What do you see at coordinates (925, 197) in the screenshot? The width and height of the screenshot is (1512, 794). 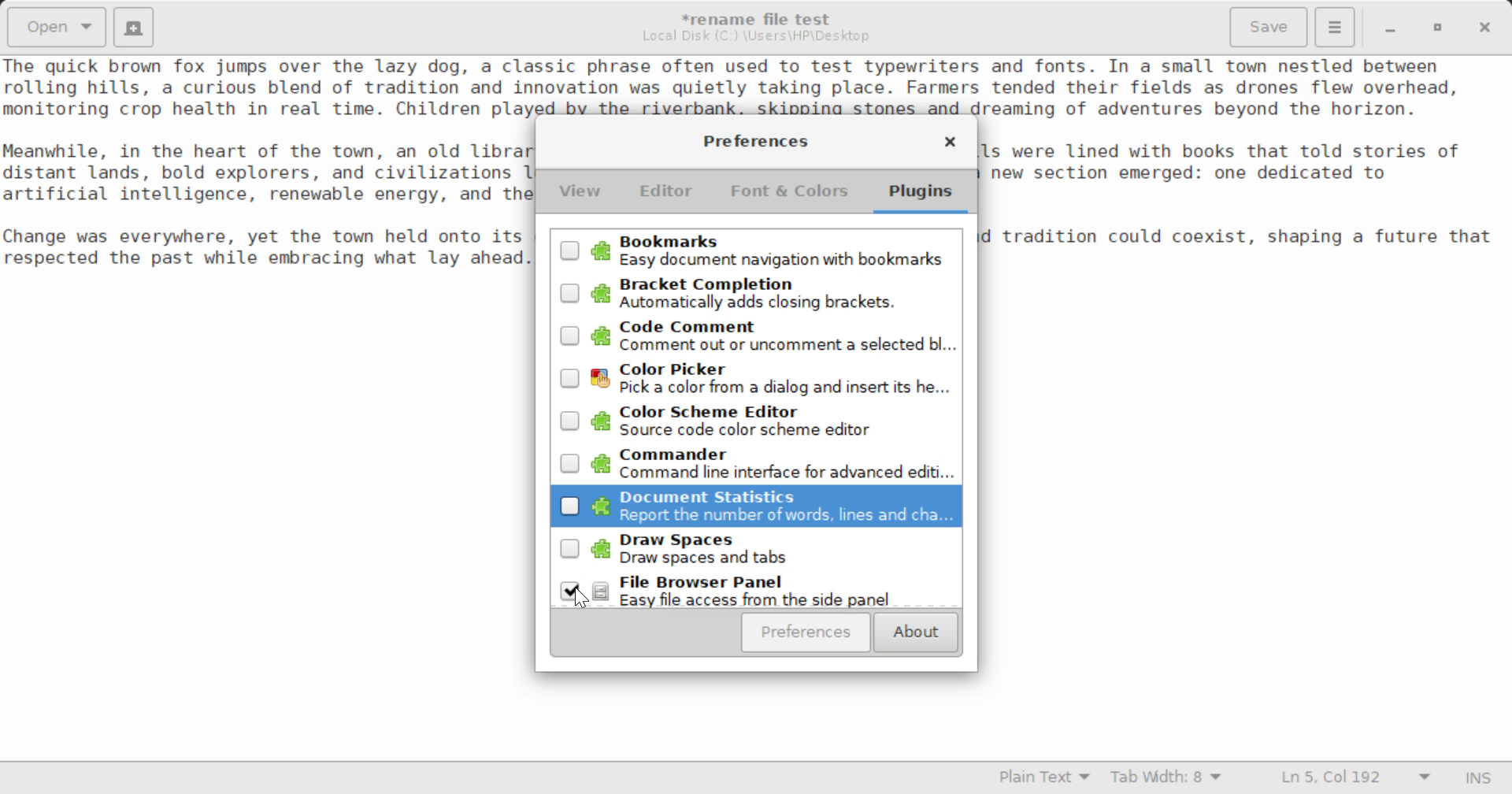 I see `Plugins Tab Selected` at bounding box center [925, 197].